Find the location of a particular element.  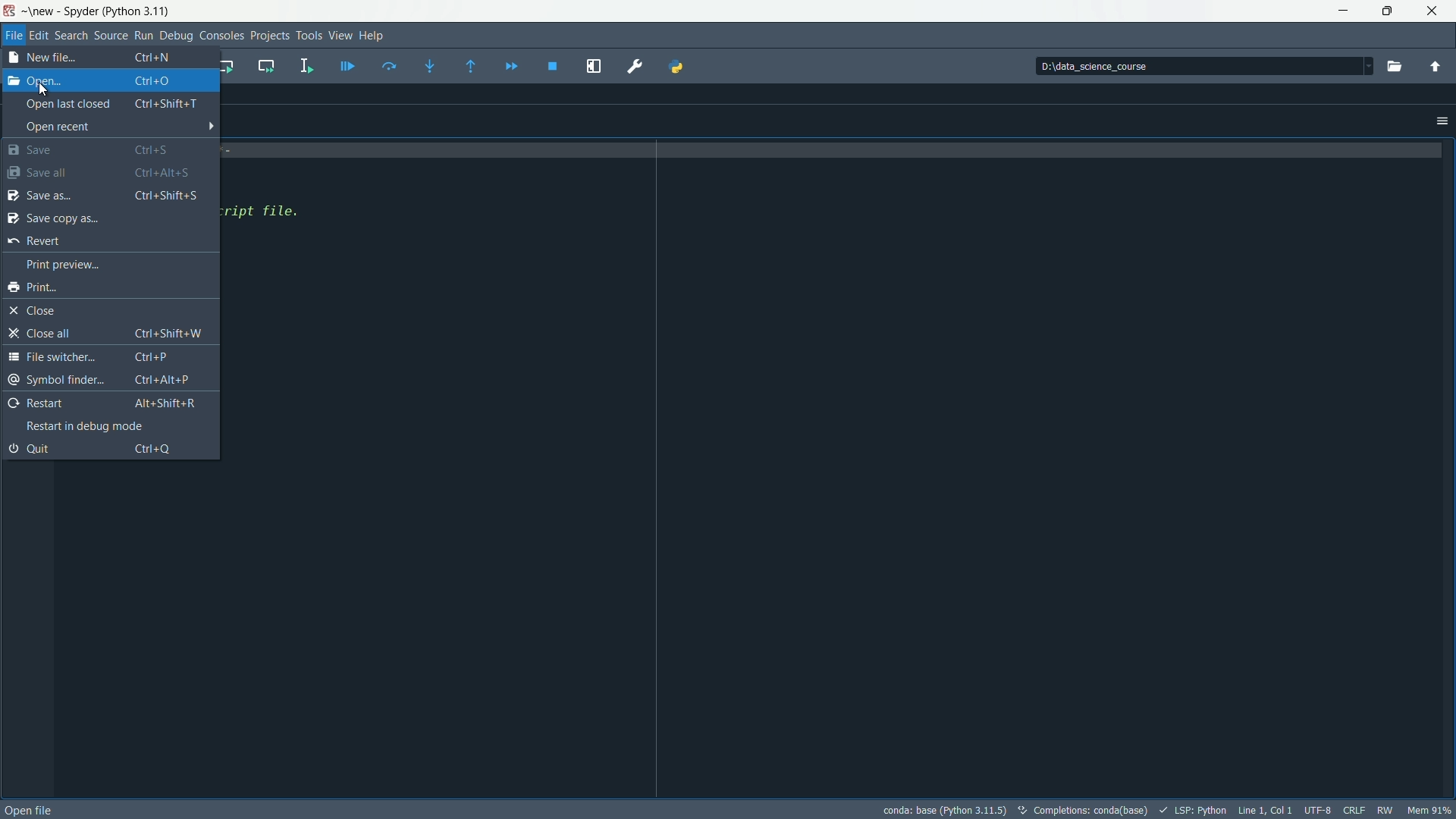

restart in debugging mode is located at coordinates (89, 426).